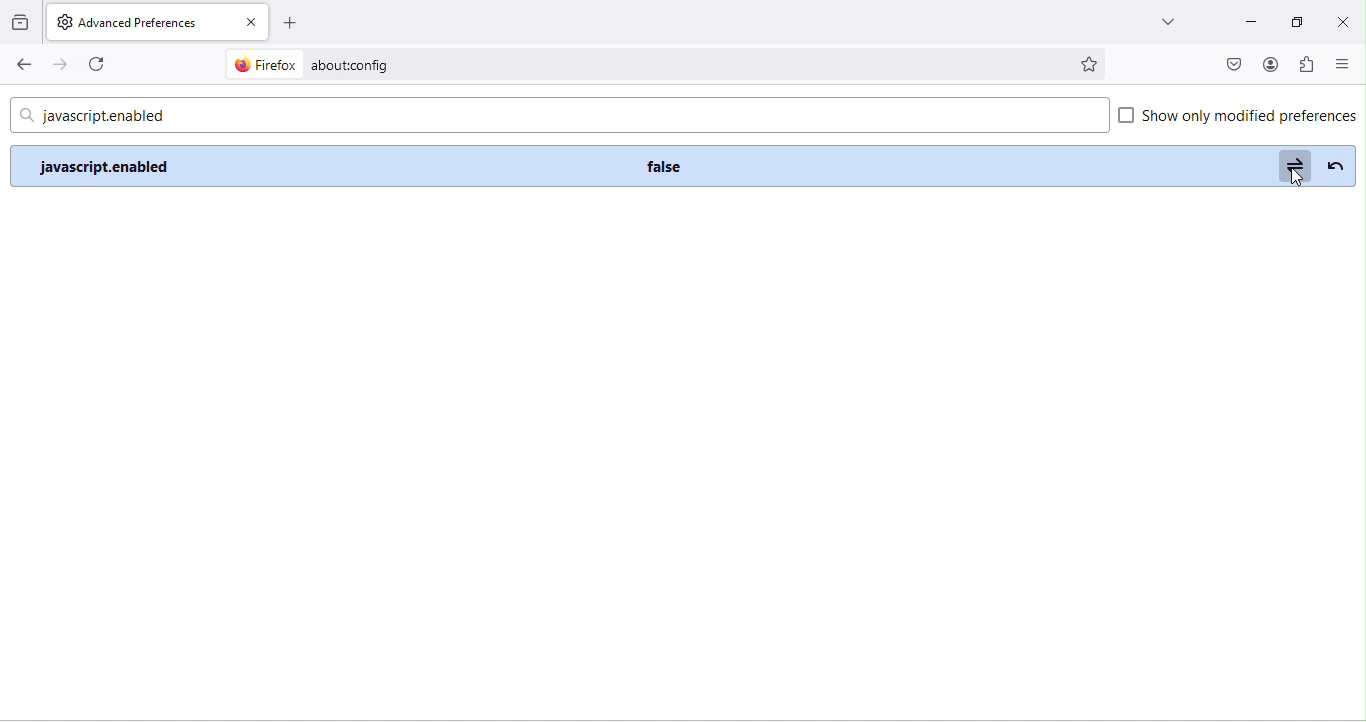 The width and height of the screenshot is (1366, 722). What do you see at coordinates (97, 64) in the screenshot?
I see `refresh` at bounding box center [97, 64].